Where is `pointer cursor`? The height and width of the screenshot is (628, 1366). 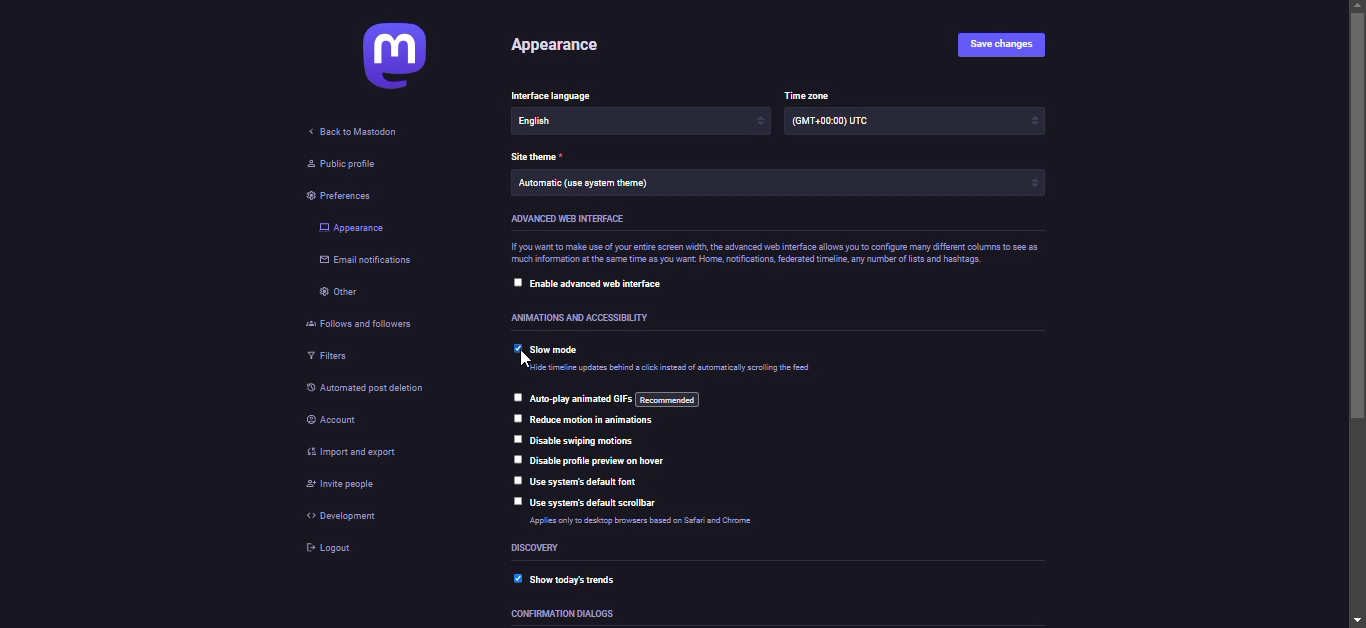
pointer cursor is located at coordinates (526, 359).